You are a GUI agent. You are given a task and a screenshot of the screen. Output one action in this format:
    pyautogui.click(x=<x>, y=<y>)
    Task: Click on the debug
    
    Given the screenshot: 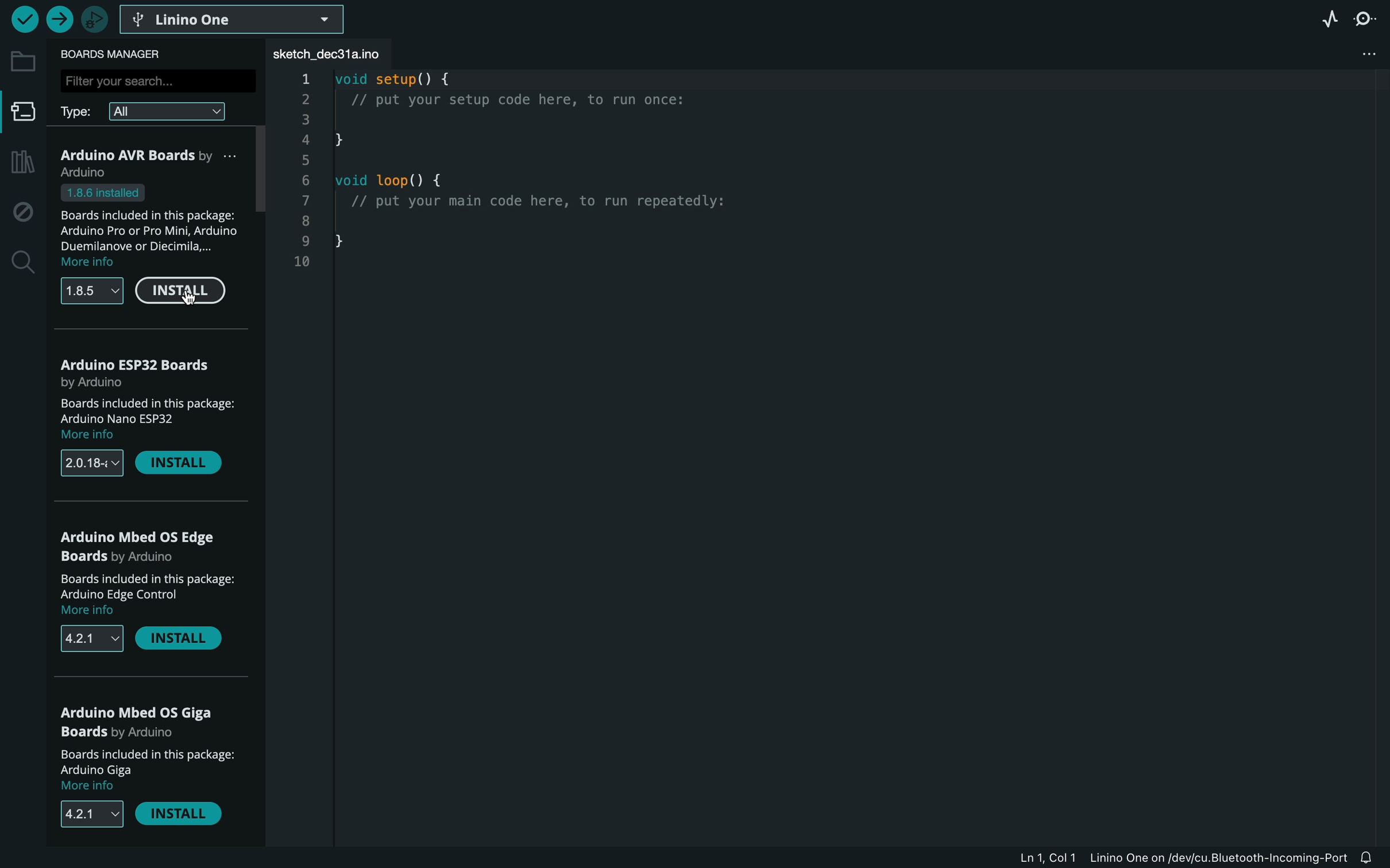 What is the action you would take?
    pyautogui.click(x=23, y=212)
    